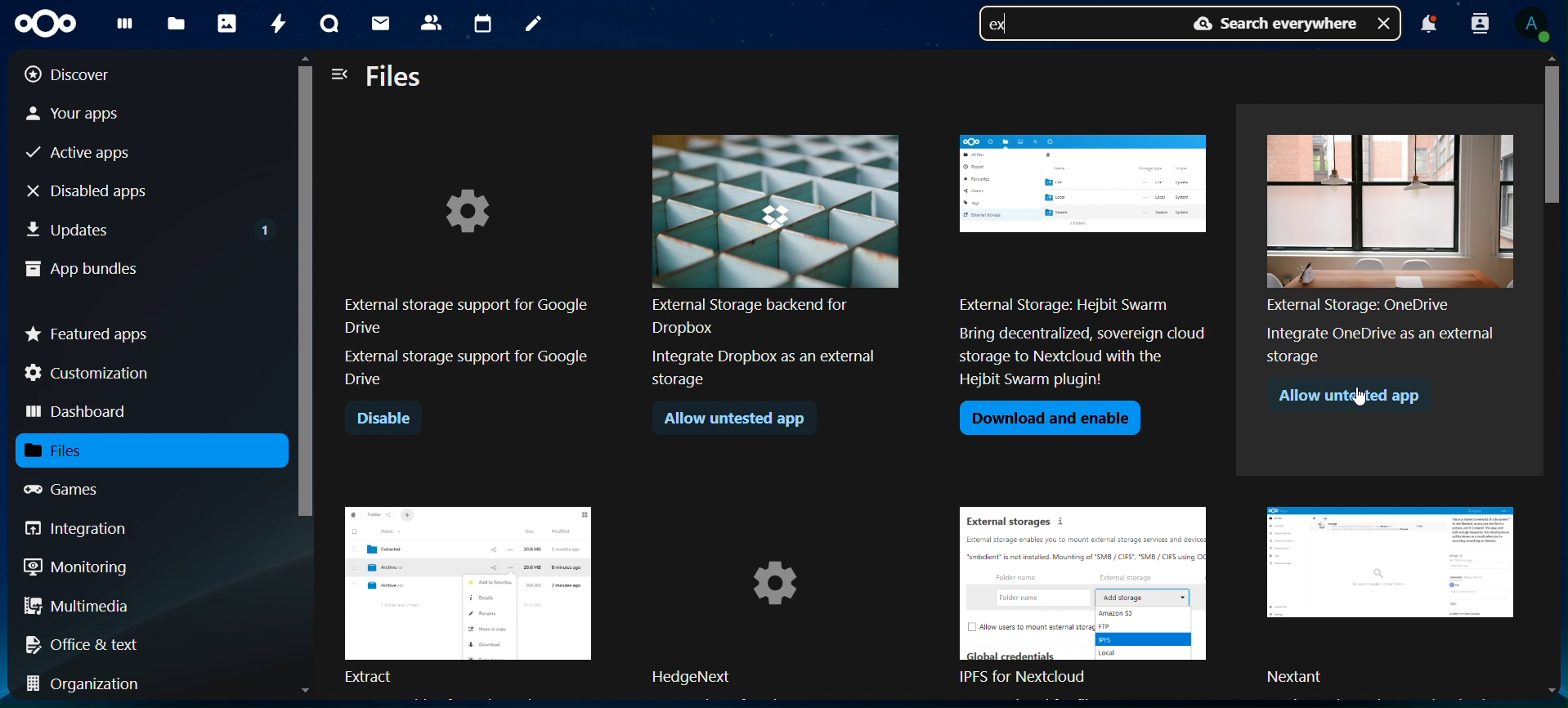 This screenshot has width=1568, height=708. I want to click on dashboard, so click(79, 413).